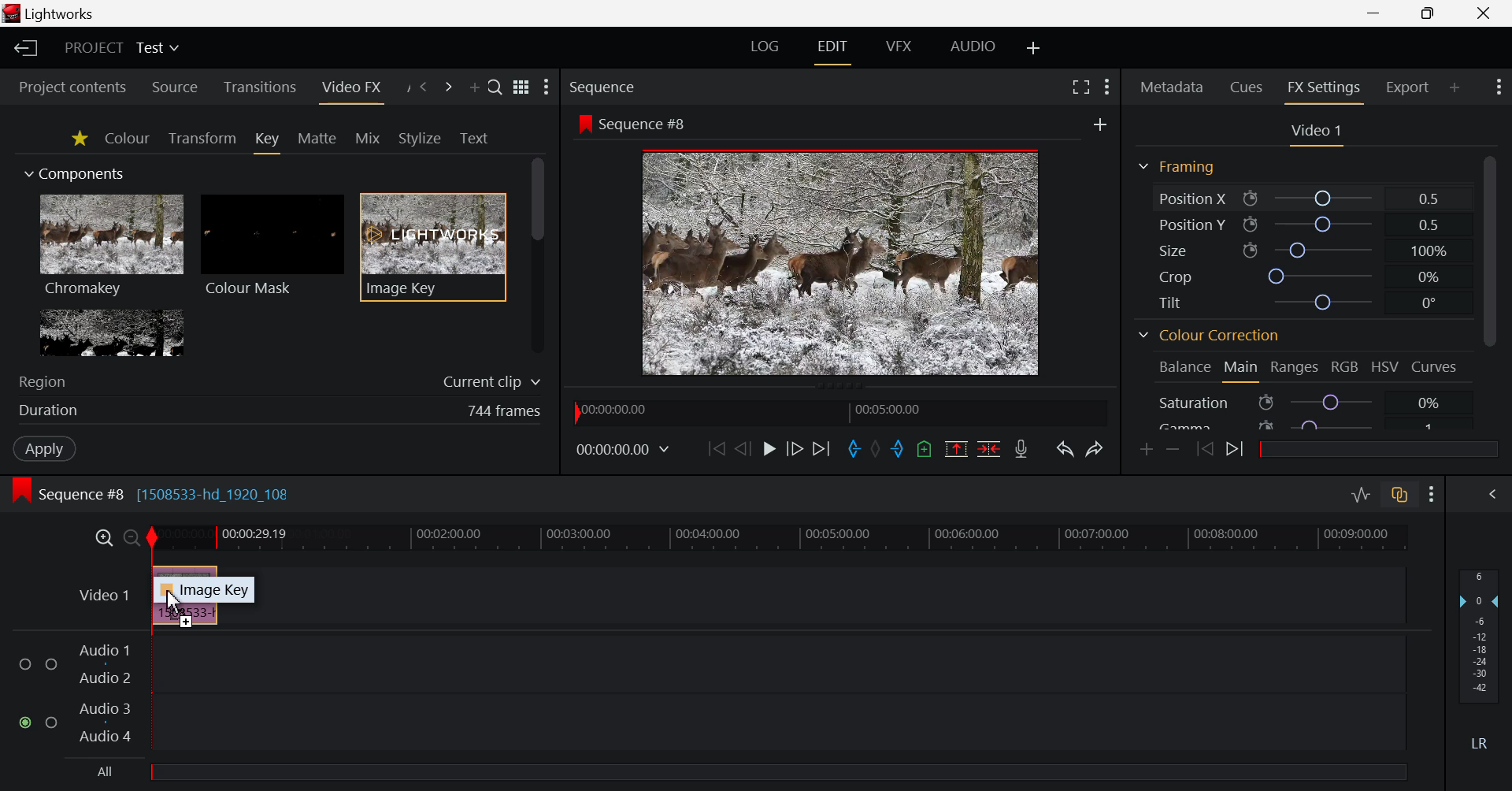 The height and width of the screenshot is (791, 1512). I want to click on Saturation , so click(1332, 403).